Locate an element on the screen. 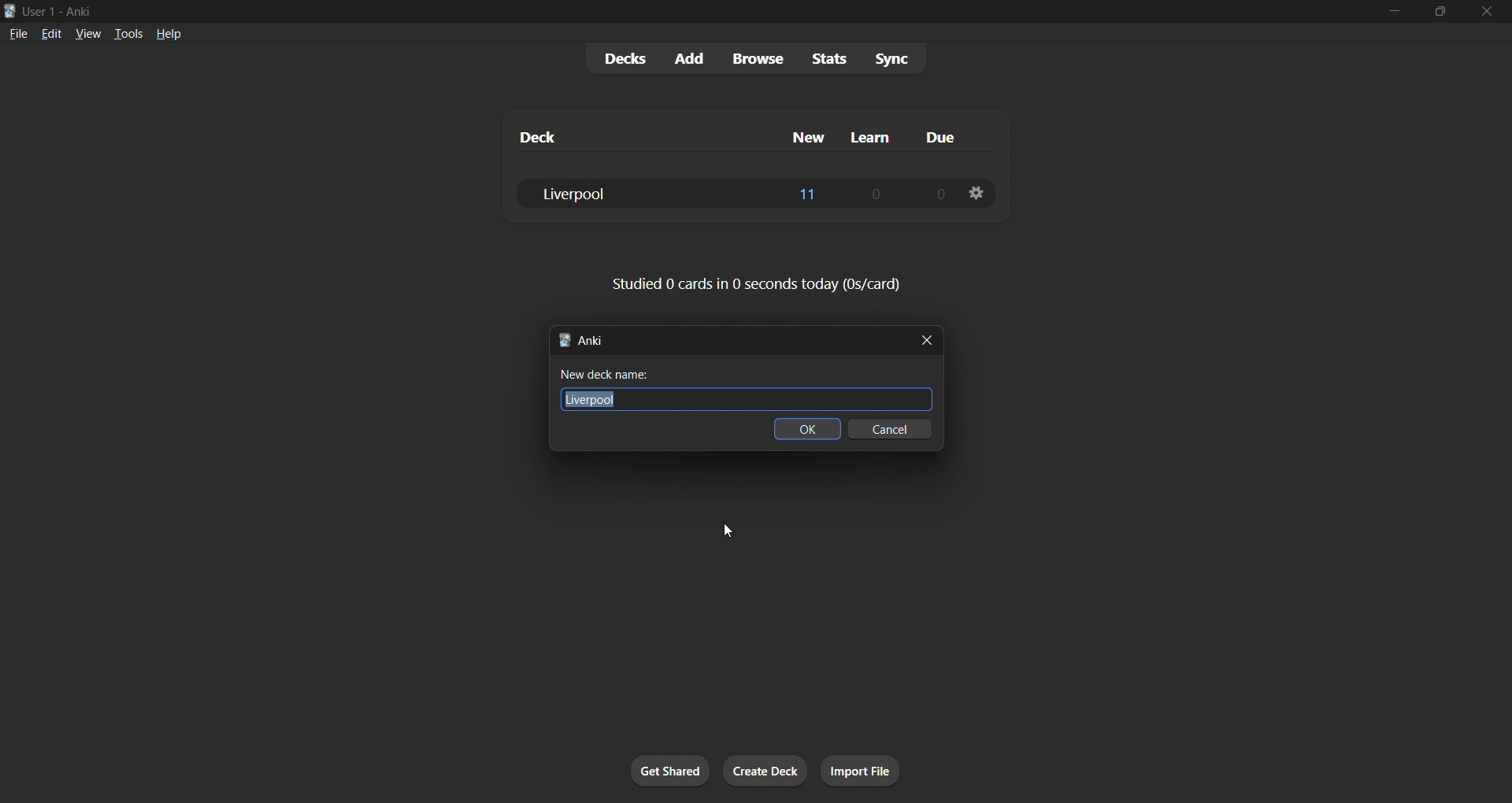 The image size is (1512, 803). close is located at coordinates (922, 337).